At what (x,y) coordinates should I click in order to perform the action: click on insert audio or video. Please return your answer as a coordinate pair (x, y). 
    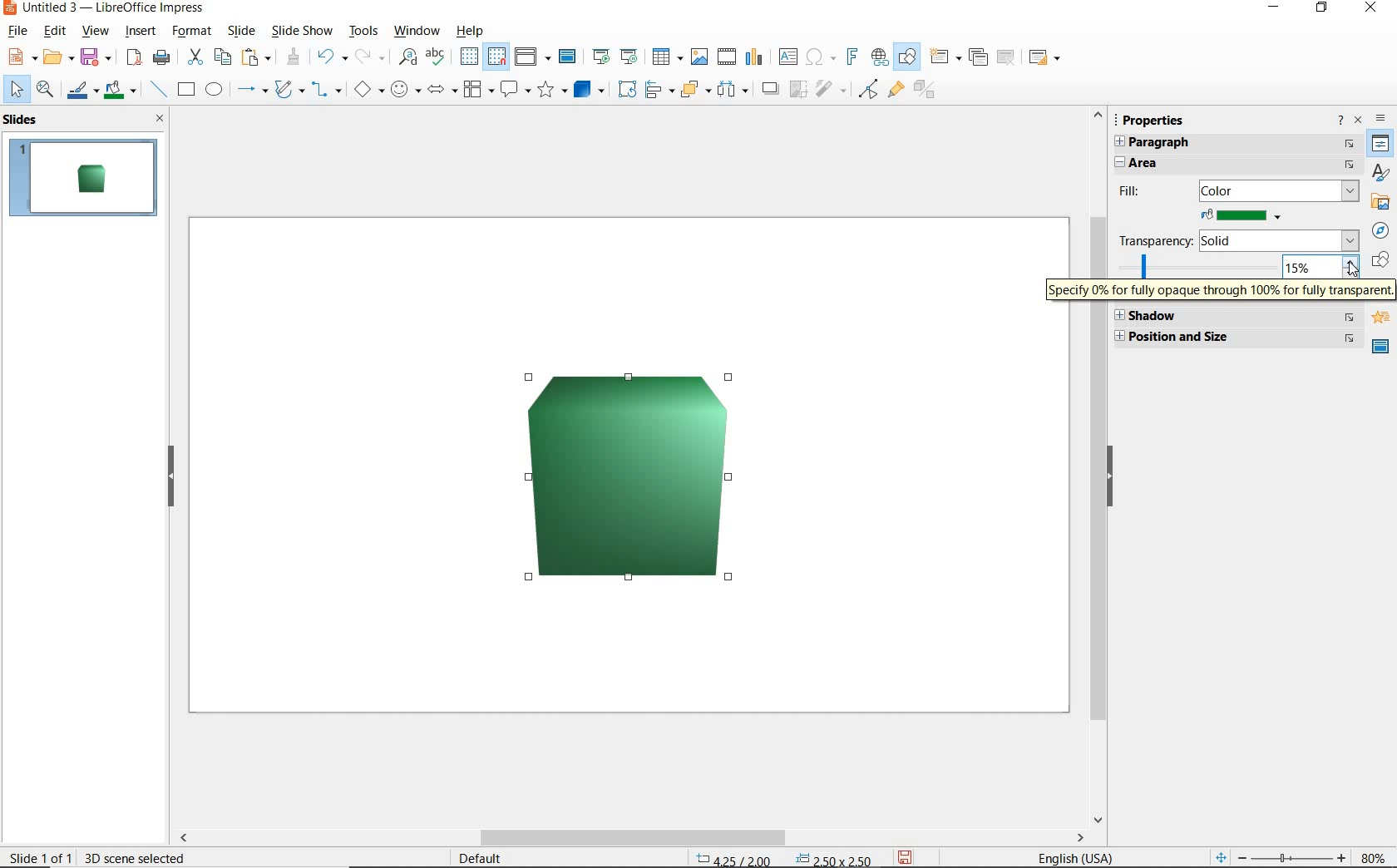
    Looking at the image, I should click on (726, 55).